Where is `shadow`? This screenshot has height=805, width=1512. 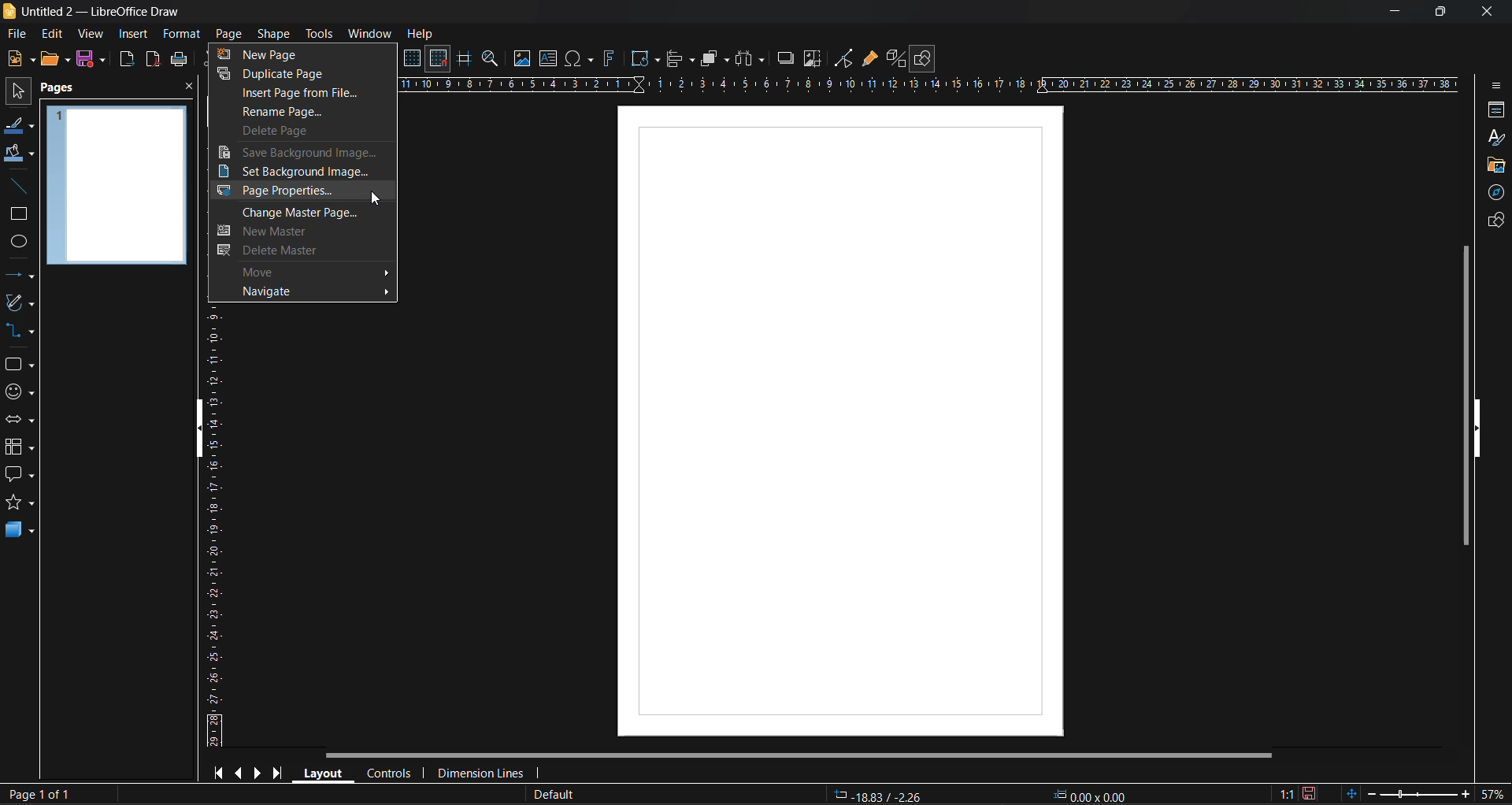
shadow is located at coordinates (785, 57).